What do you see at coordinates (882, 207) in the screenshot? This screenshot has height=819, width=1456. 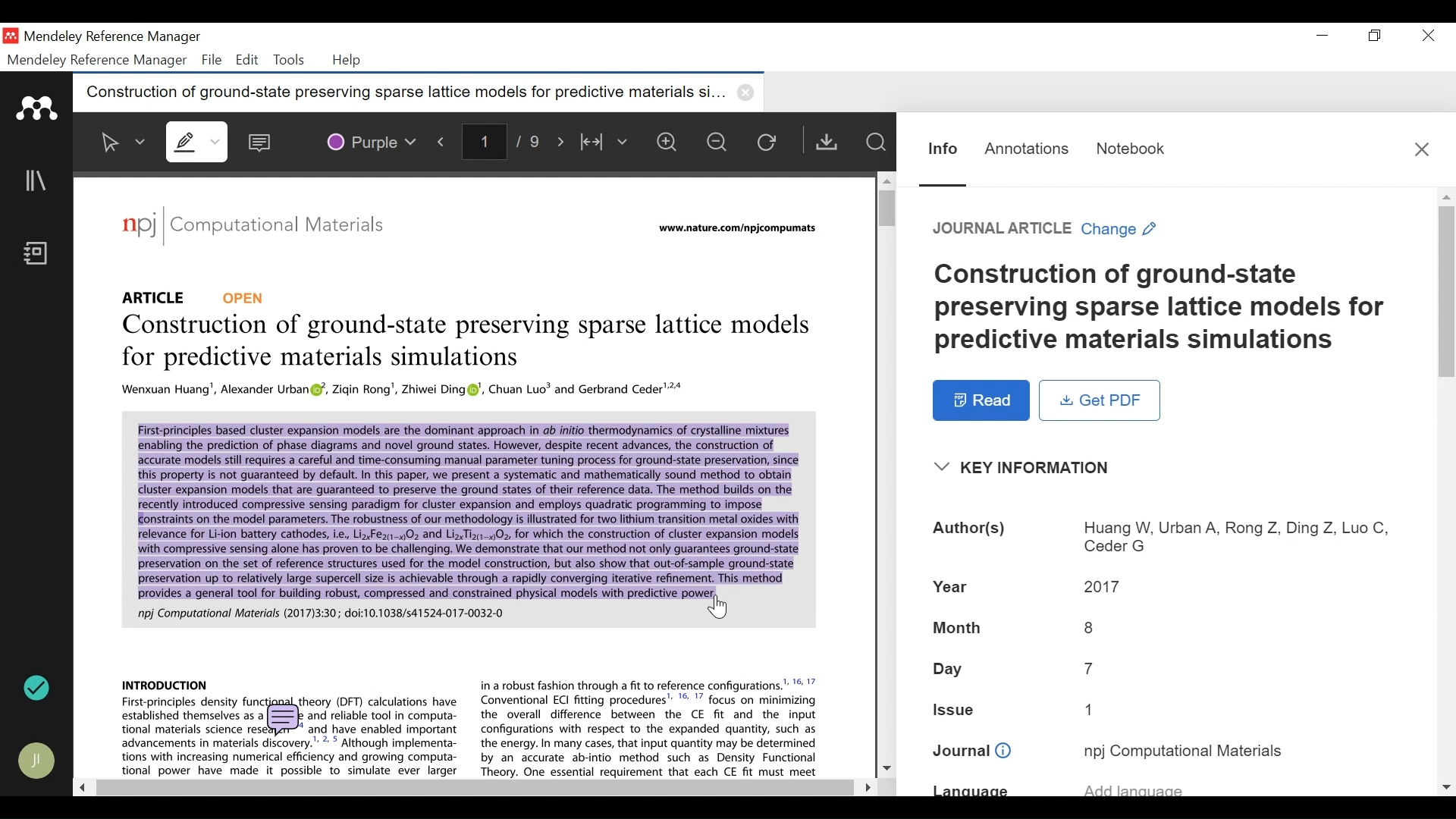 I see `Vertical Scroll bar` at bounding box center [882, 207].